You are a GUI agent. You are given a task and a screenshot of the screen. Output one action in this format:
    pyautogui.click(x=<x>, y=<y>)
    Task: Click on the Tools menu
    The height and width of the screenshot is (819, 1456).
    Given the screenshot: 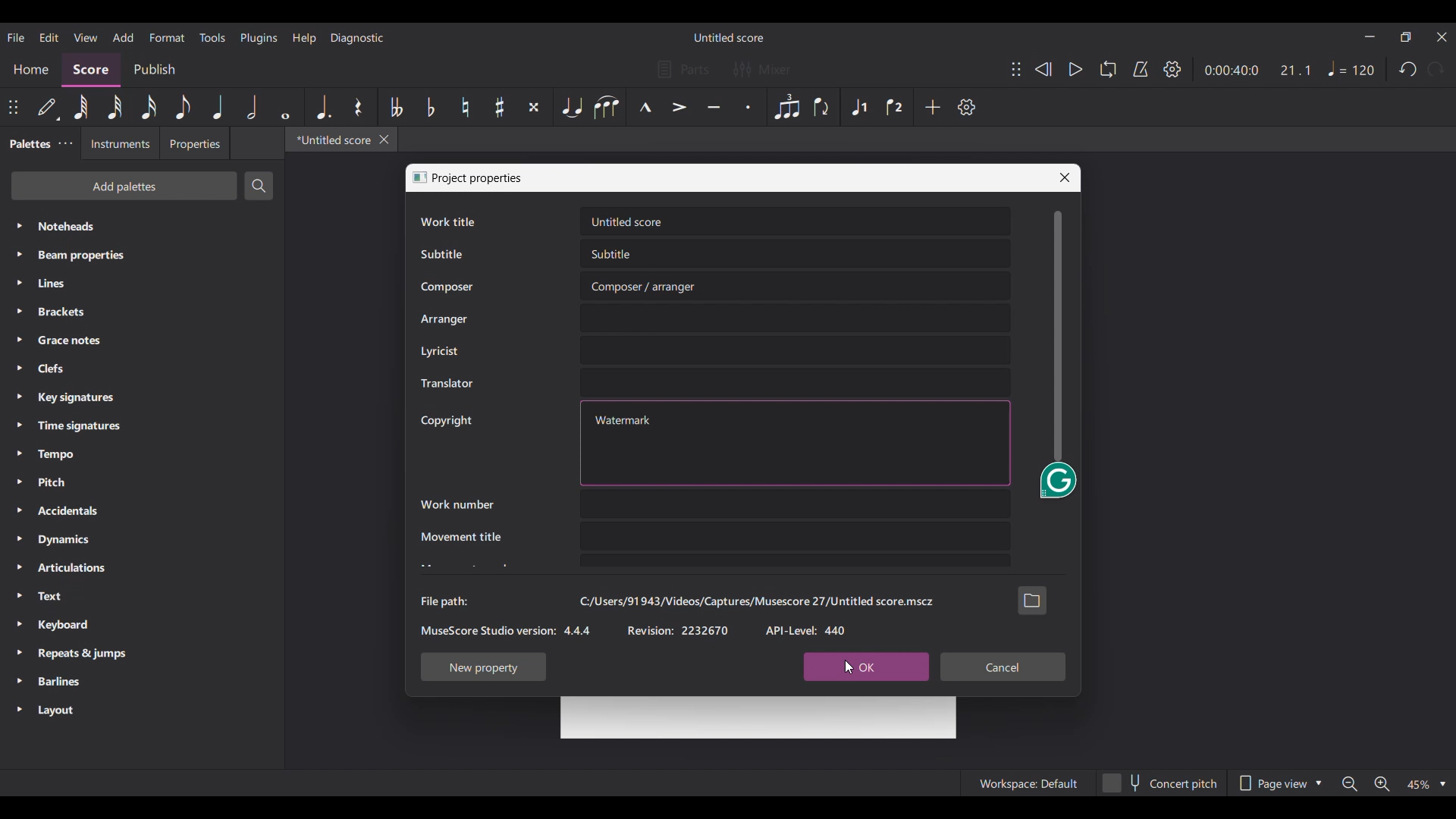 What is the action you would take?
    pyautogui.click(x=212, y=37)
    